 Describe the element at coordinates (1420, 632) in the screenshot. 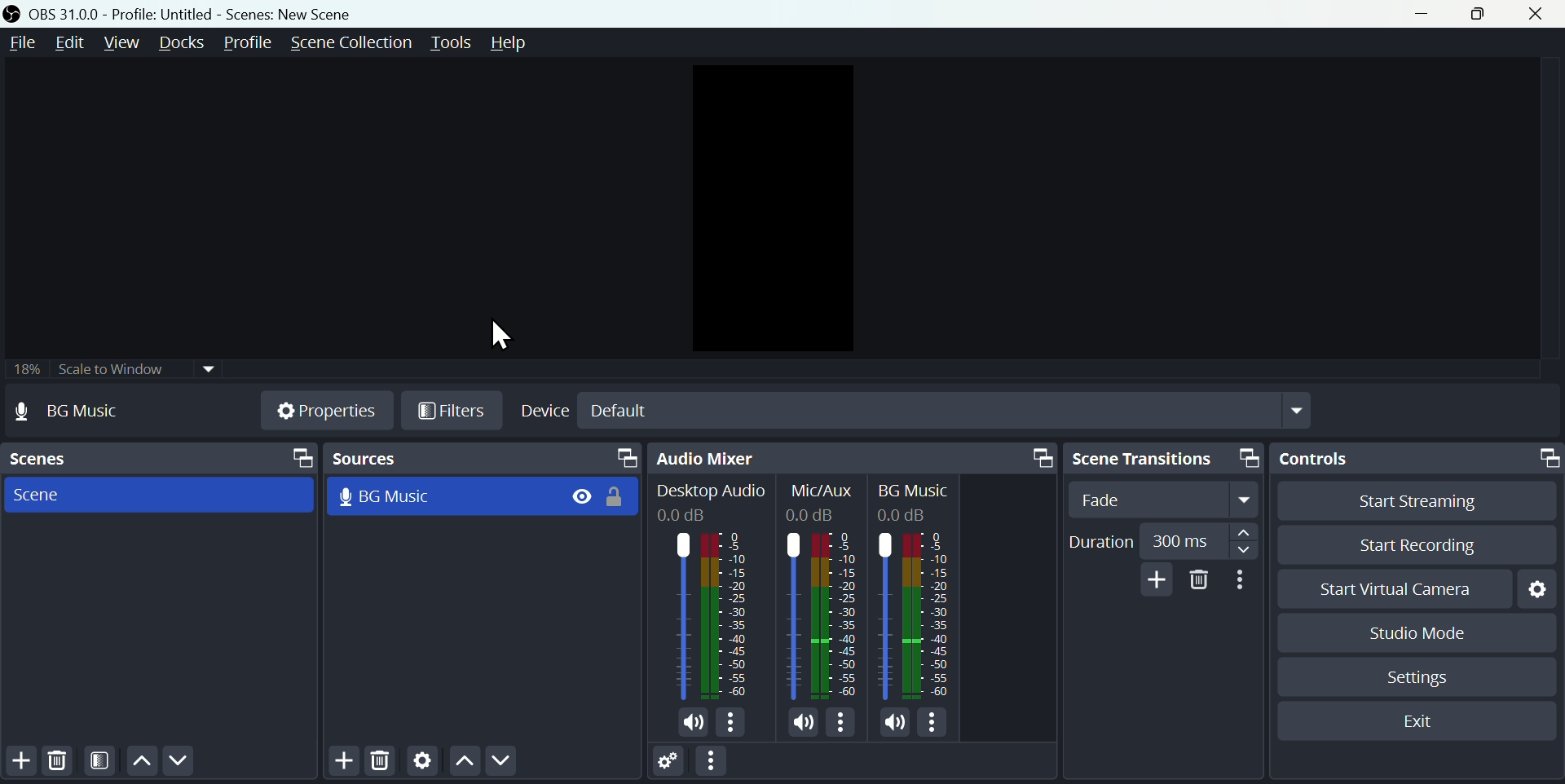

I see `Studio mode` at that location.